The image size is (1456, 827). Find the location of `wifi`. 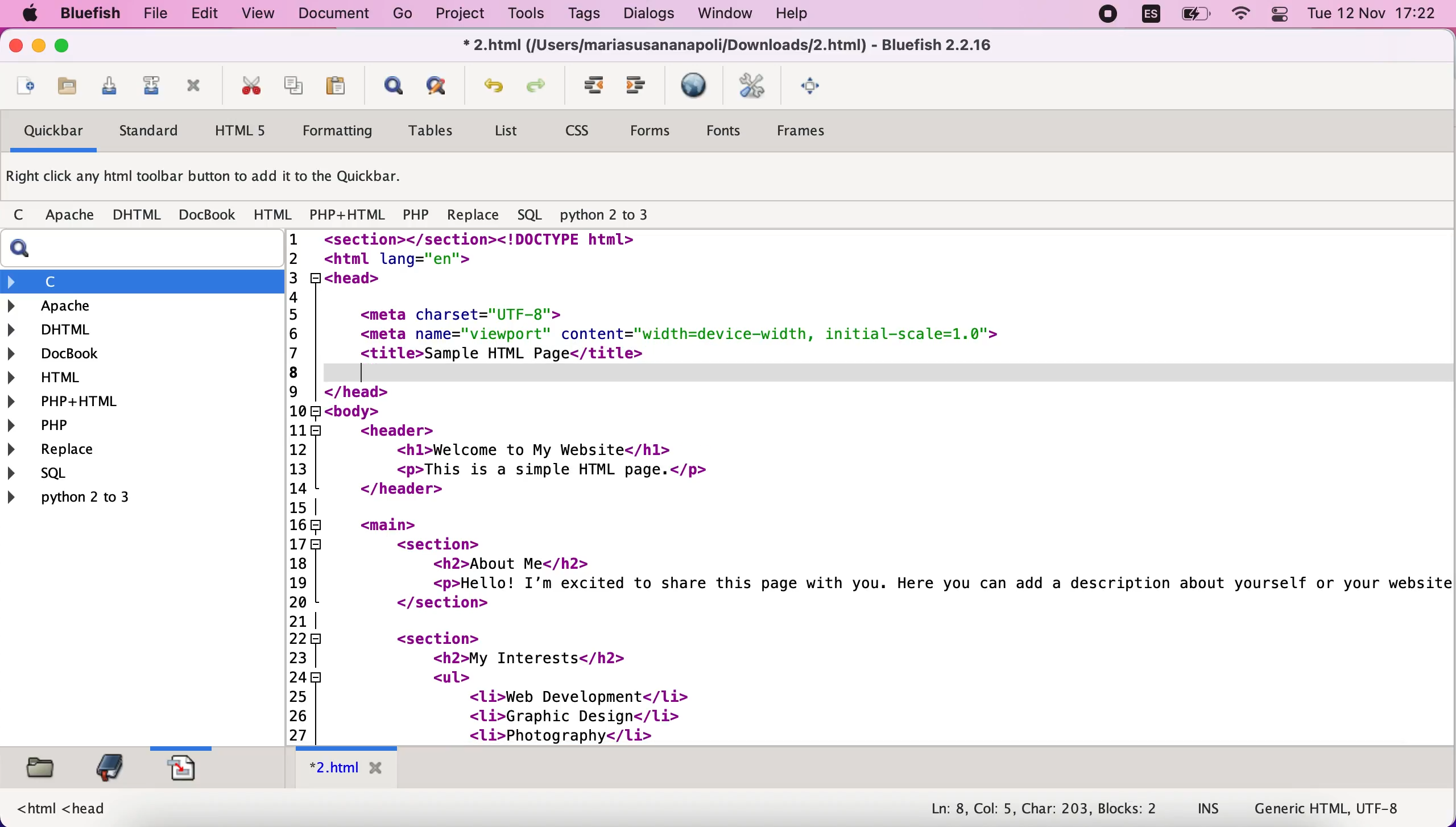

wifi is located at coordinates (1242, 16).